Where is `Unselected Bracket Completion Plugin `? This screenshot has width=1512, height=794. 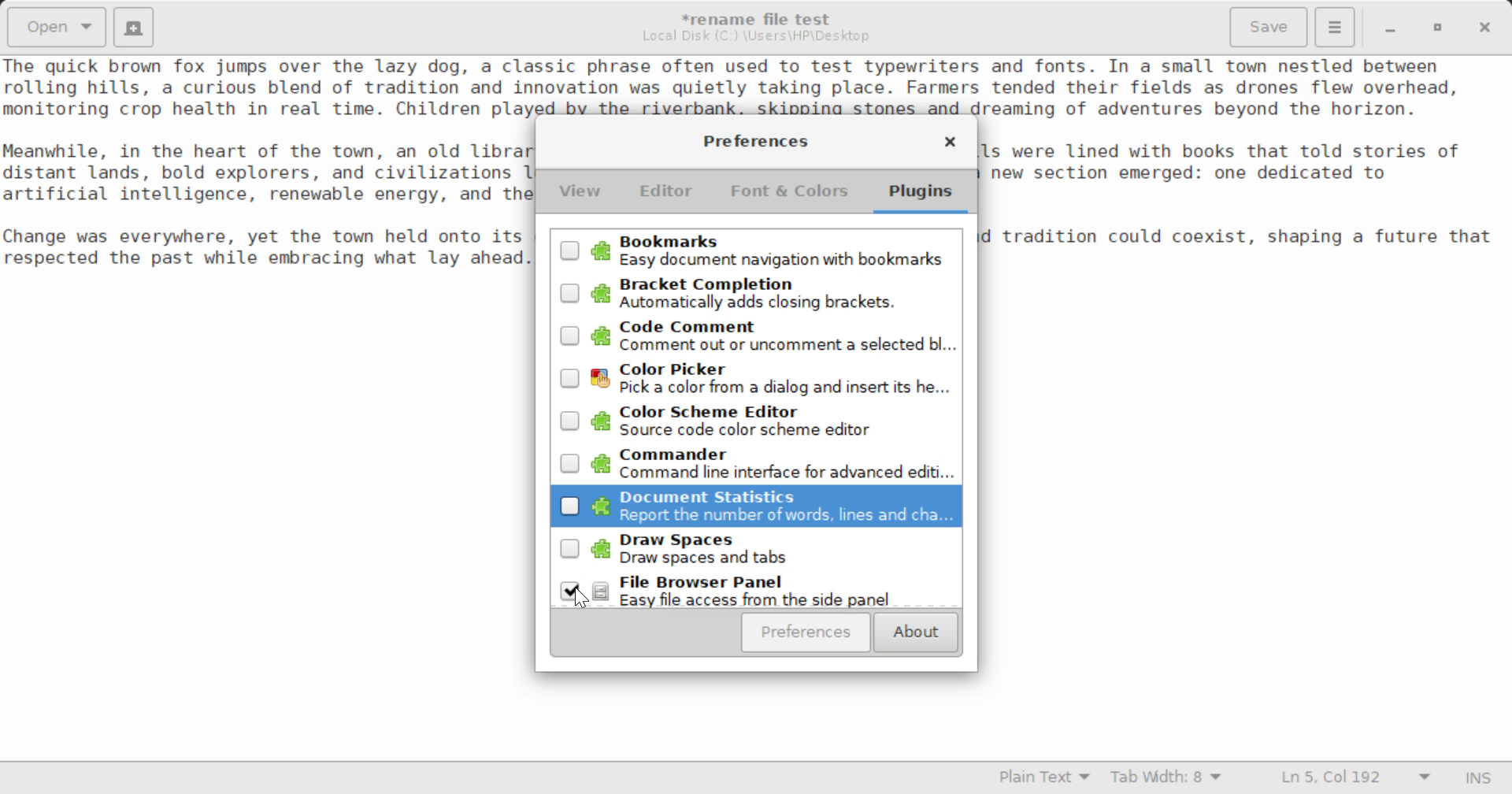
Unselected Bracket Completion Plugin  is located at coordinates (757, 295).